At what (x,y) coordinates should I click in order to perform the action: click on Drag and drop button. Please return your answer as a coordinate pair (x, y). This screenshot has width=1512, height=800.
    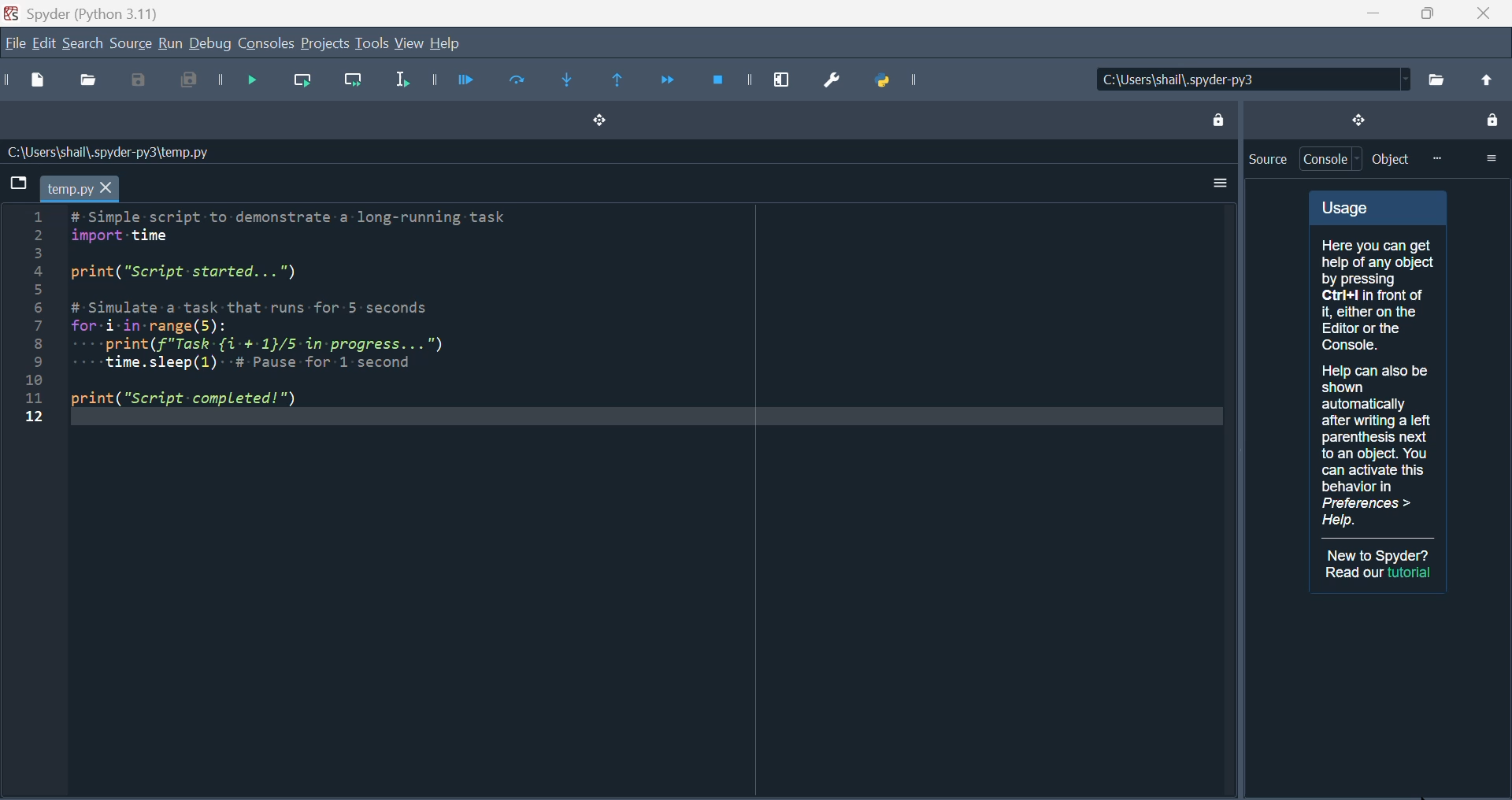
    Looking at the image, I should click on (597, 122).